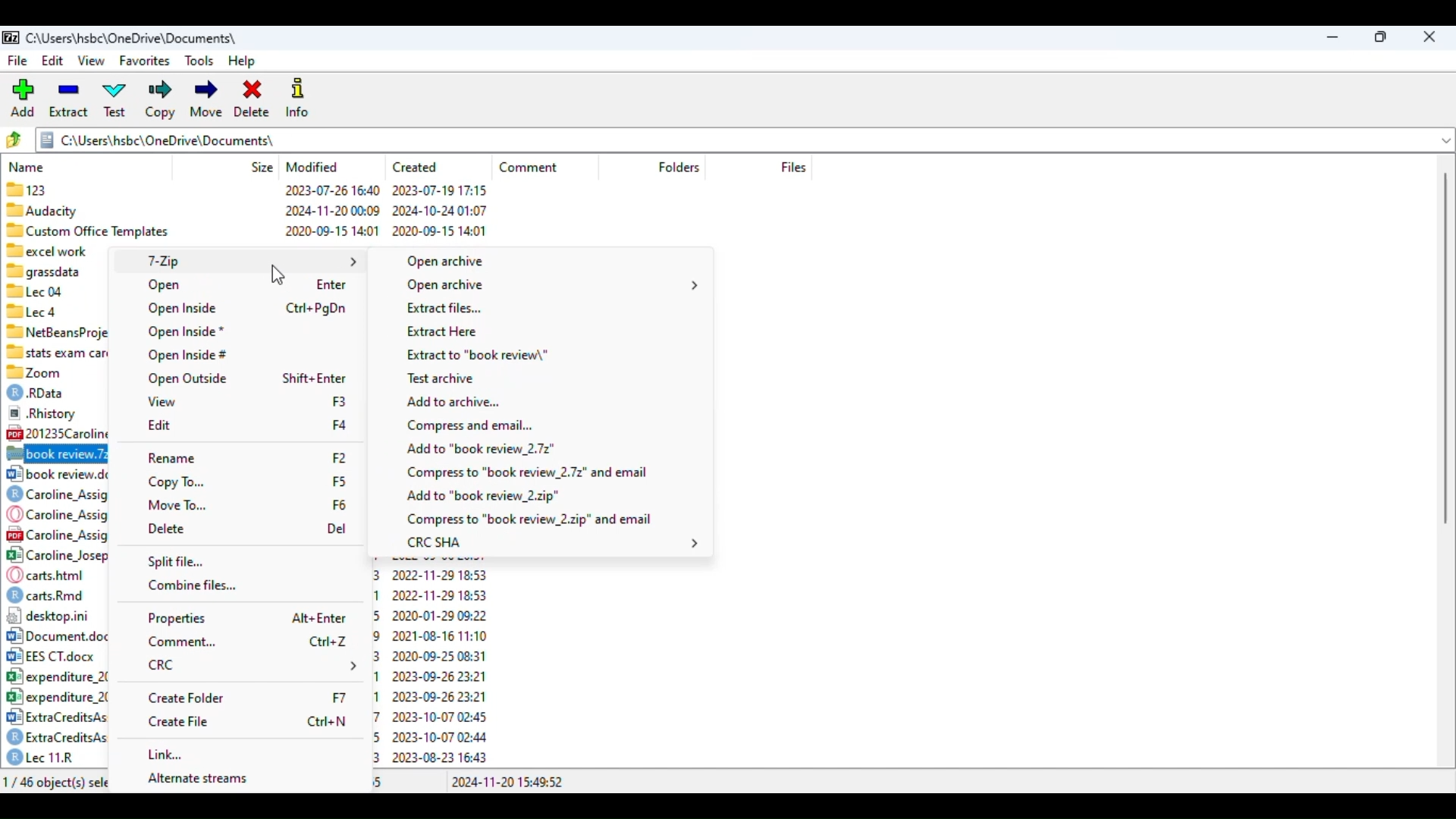  Describe the element at coordinates (337, 529) in the screenshot. I see `shortcut for delete` at that location.